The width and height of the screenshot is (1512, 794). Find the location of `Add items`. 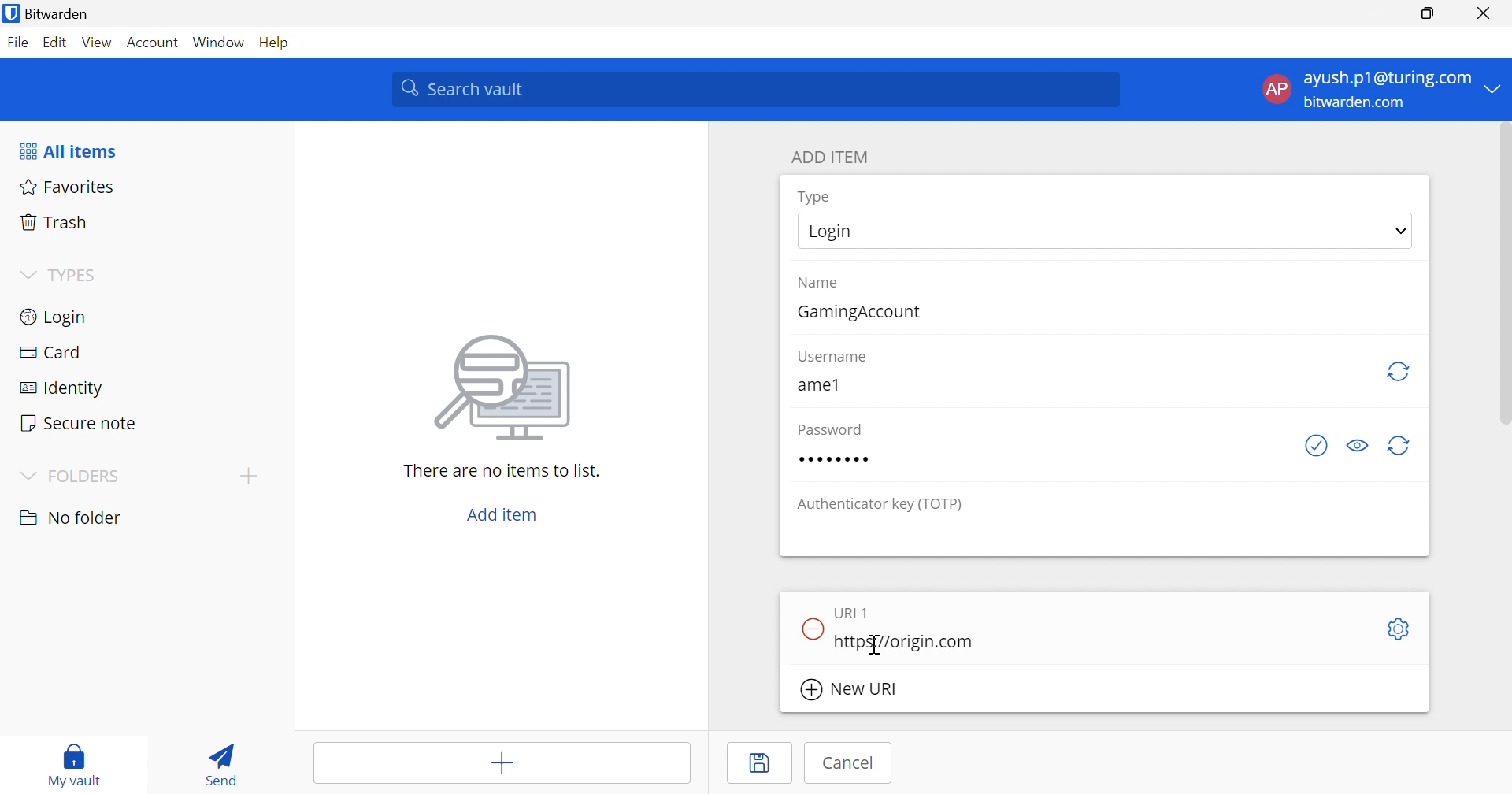

Add items is located at coordinates (499, 763).